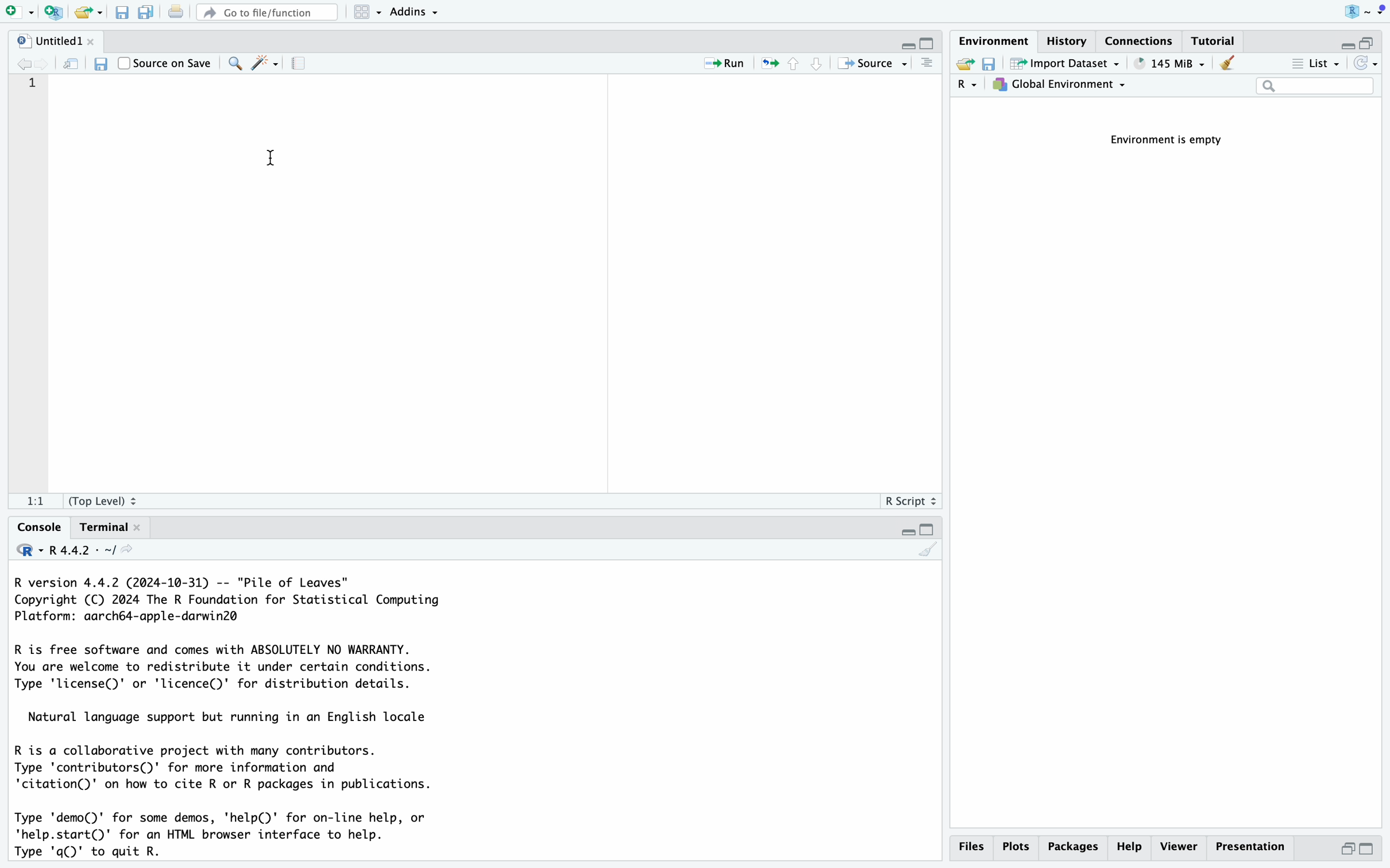 The height and width of the screenshot is (868, 1390). I want to click on R script, so click(912, 501).